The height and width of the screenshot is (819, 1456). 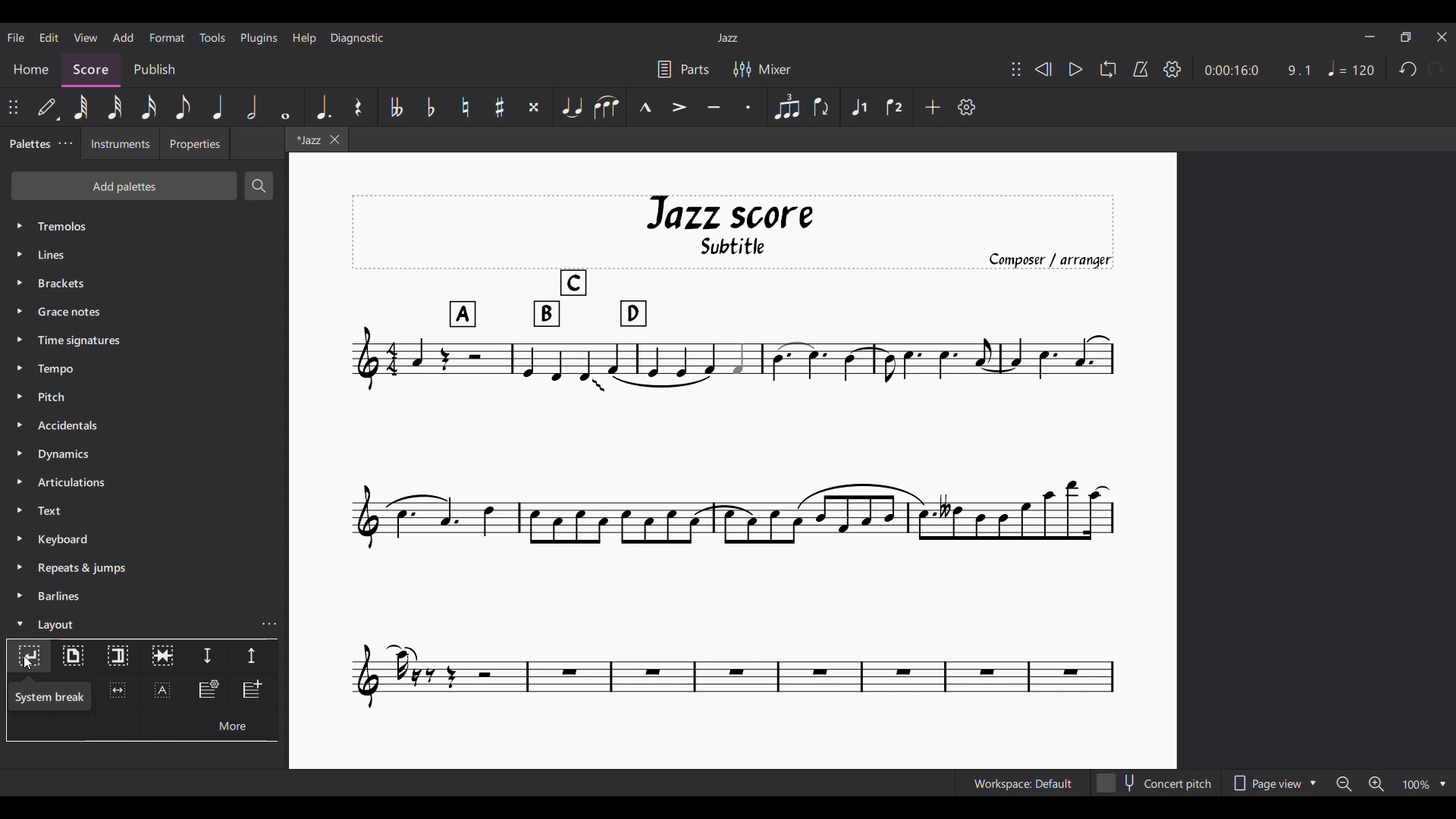 What do you see at coordinates (254, 691) in the screenshot?
I see `Insert one measure before selection` at bounding box center [254, 691].